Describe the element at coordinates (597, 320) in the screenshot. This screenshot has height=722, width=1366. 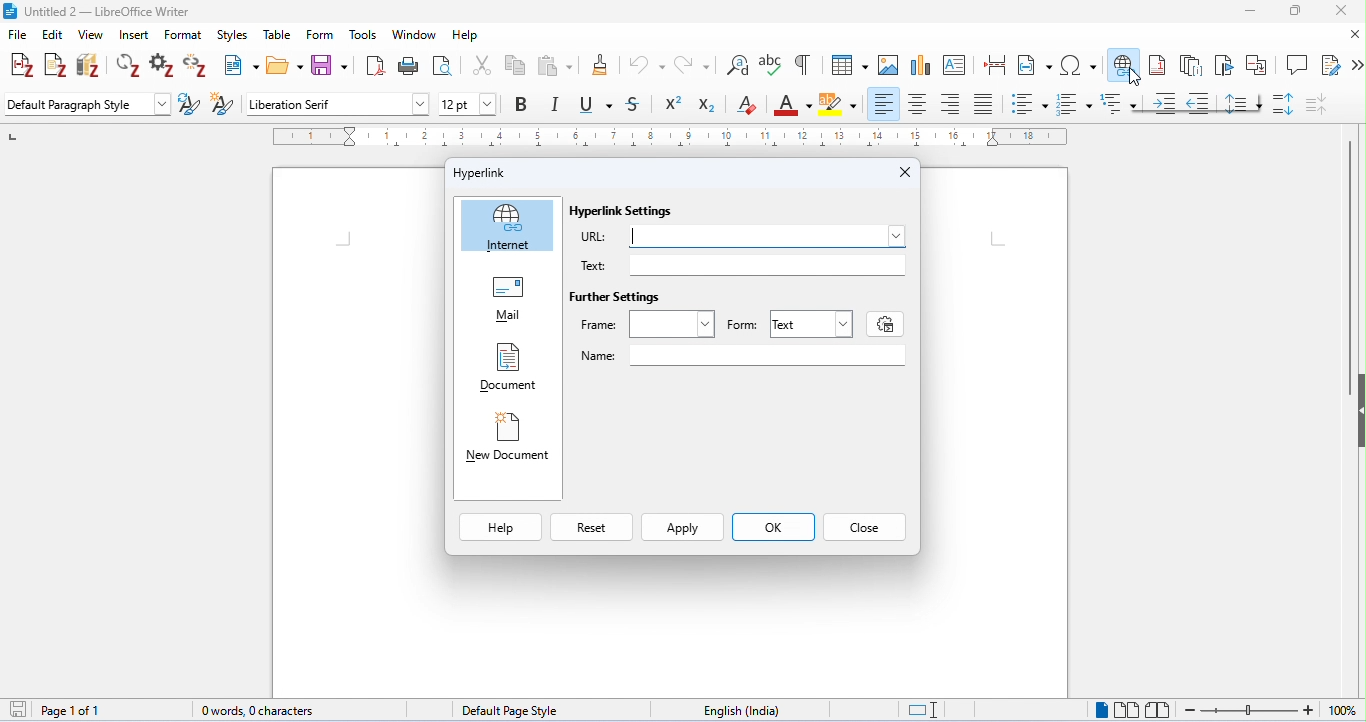
I see `Frame` at that location.